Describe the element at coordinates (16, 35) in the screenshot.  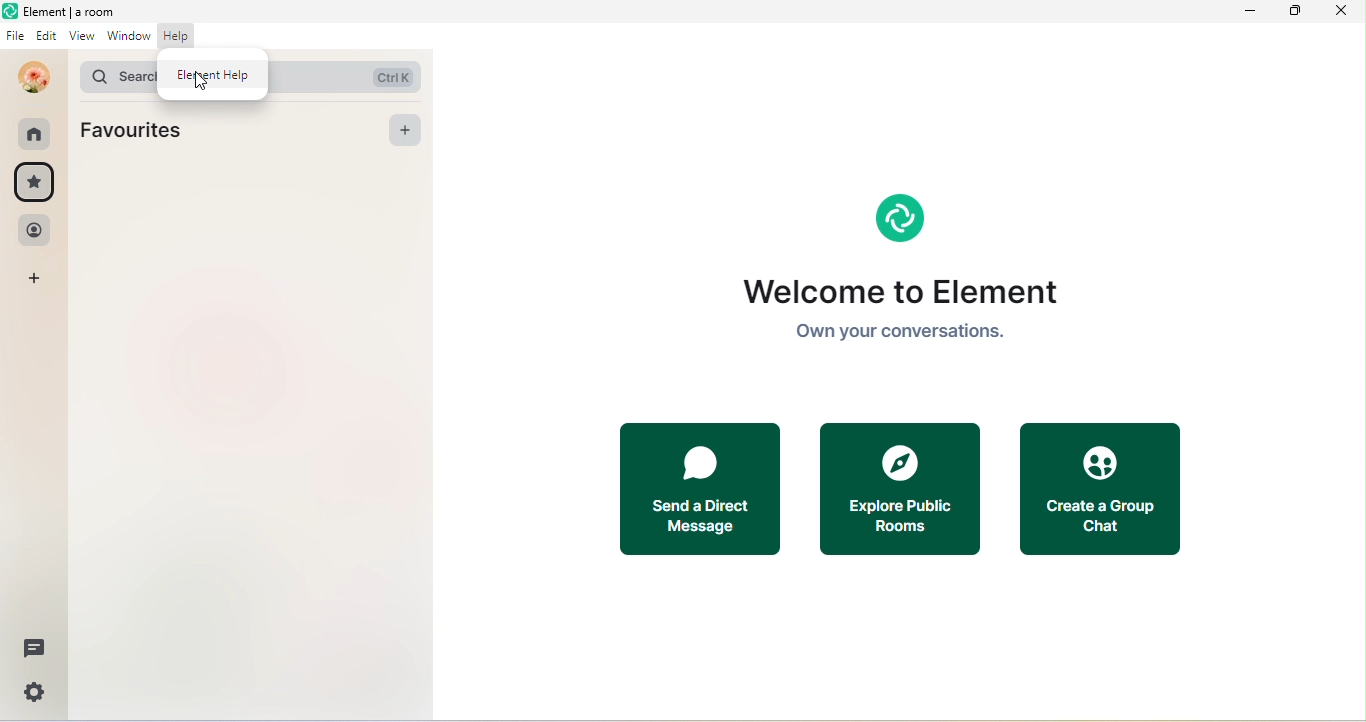
I see `file` at that location.